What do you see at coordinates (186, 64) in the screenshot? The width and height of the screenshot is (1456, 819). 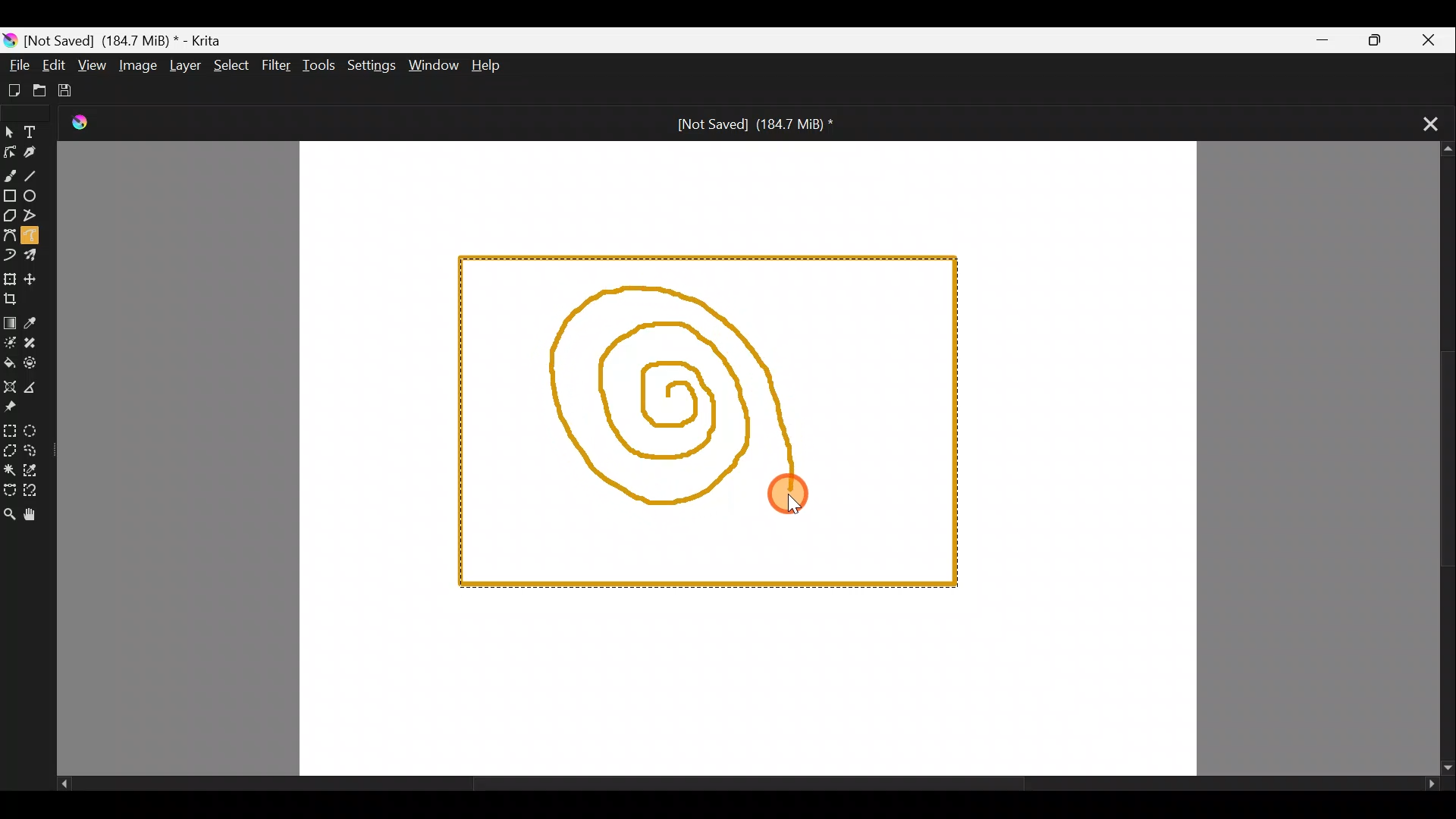 I see `Layer` at bounding box center [186, 64].